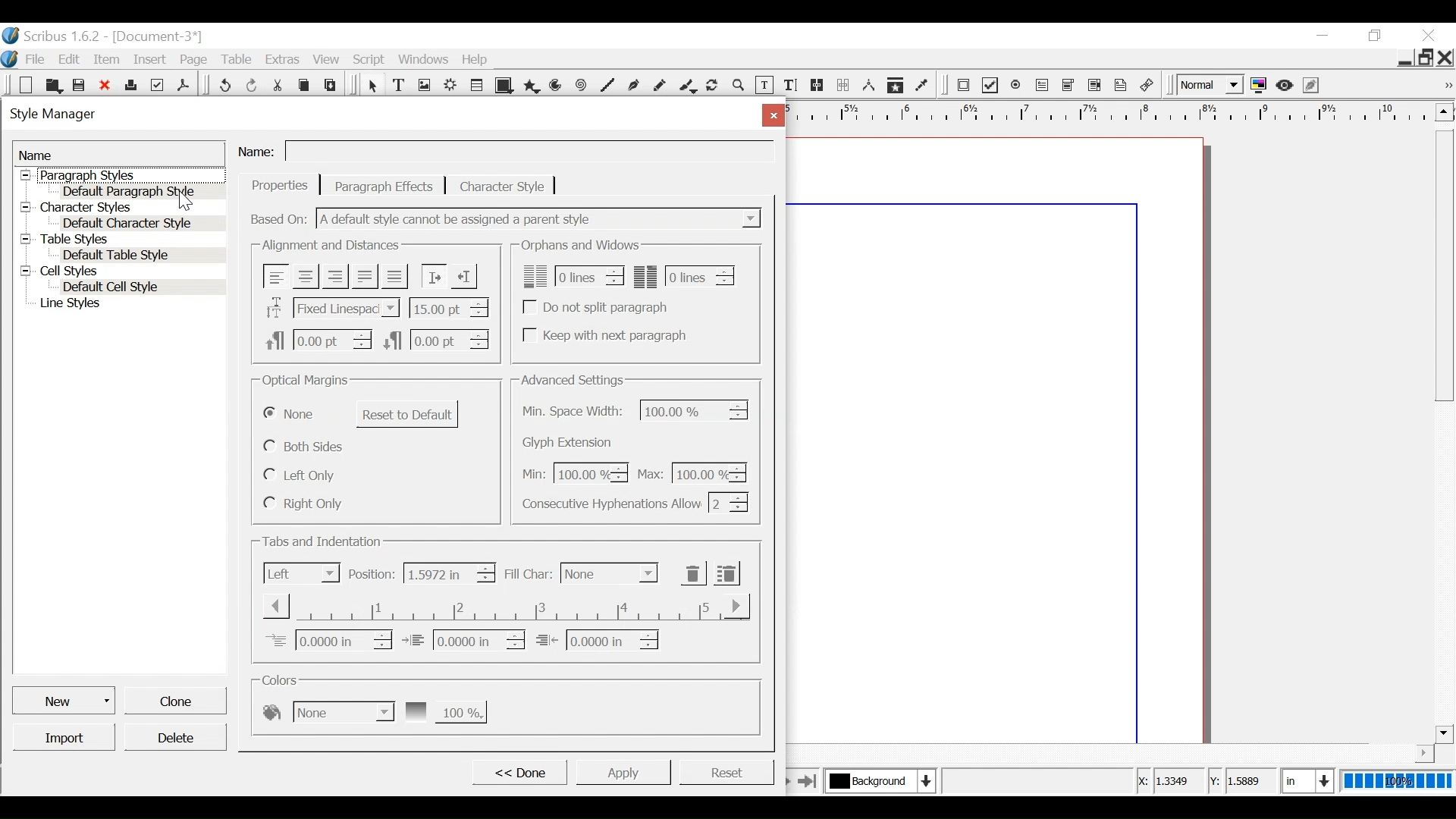 The image size is (1456, 819). Describe the element at coordinates (1404, 57) in the screenshot. I see `minimie` at that location.